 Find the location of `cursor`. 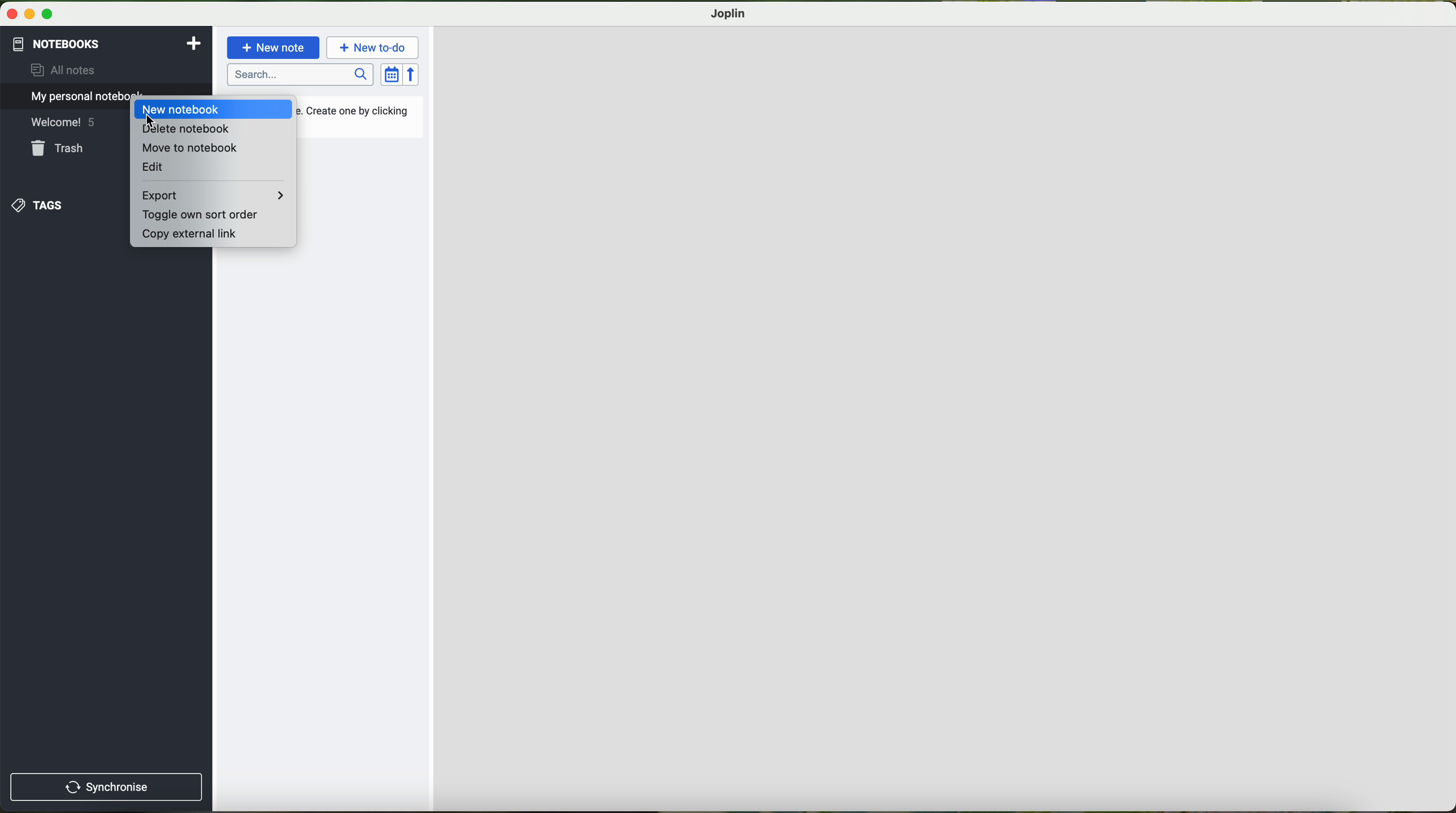

cursor is located at coordinates (149, 119).